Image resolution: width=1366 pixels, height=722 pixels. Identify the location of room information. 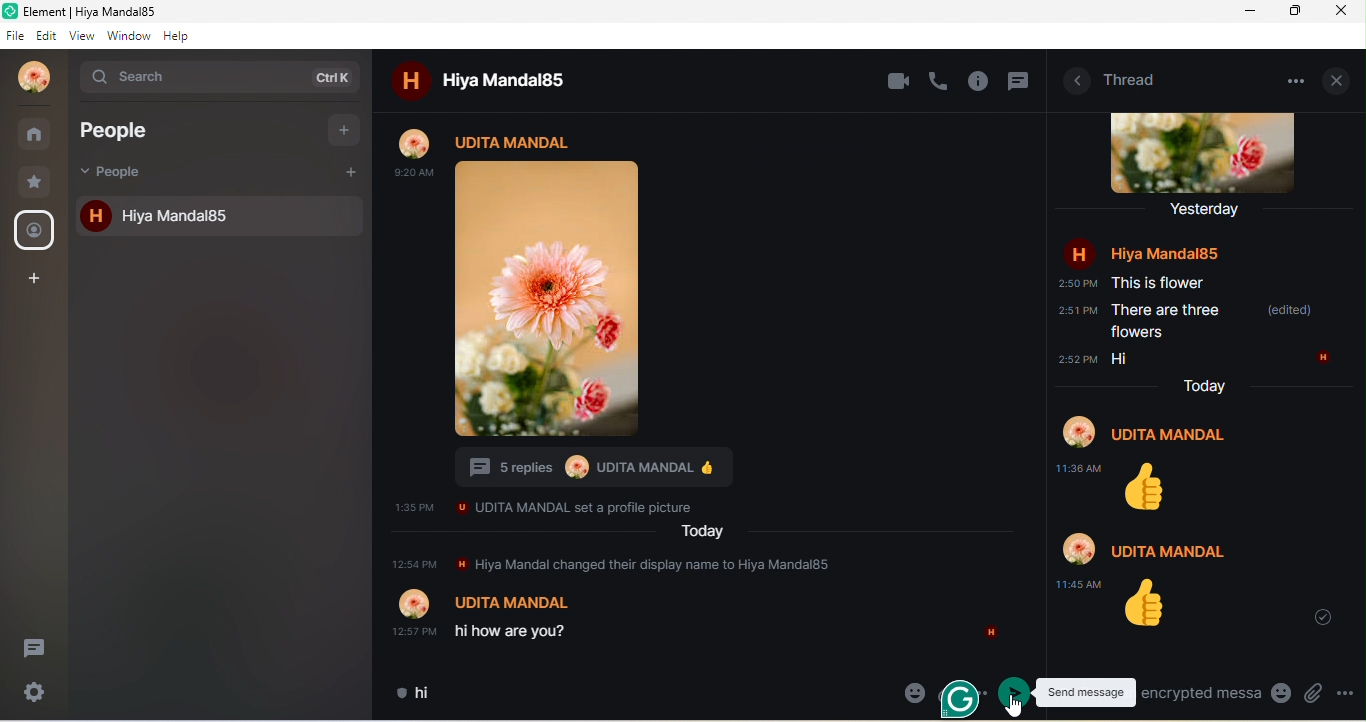
(1076, 81).